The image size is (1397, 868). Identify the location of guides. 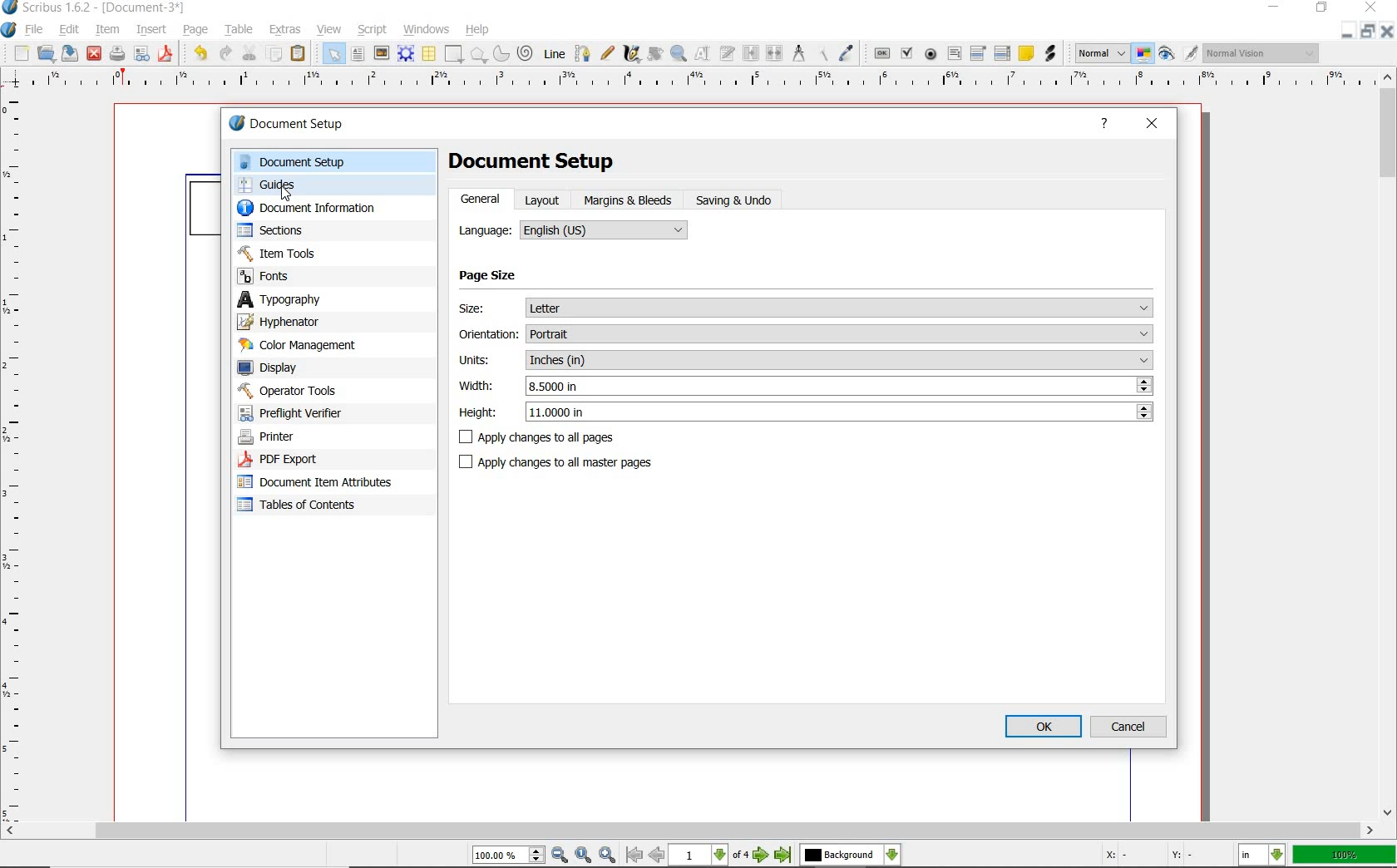
(333, 186).